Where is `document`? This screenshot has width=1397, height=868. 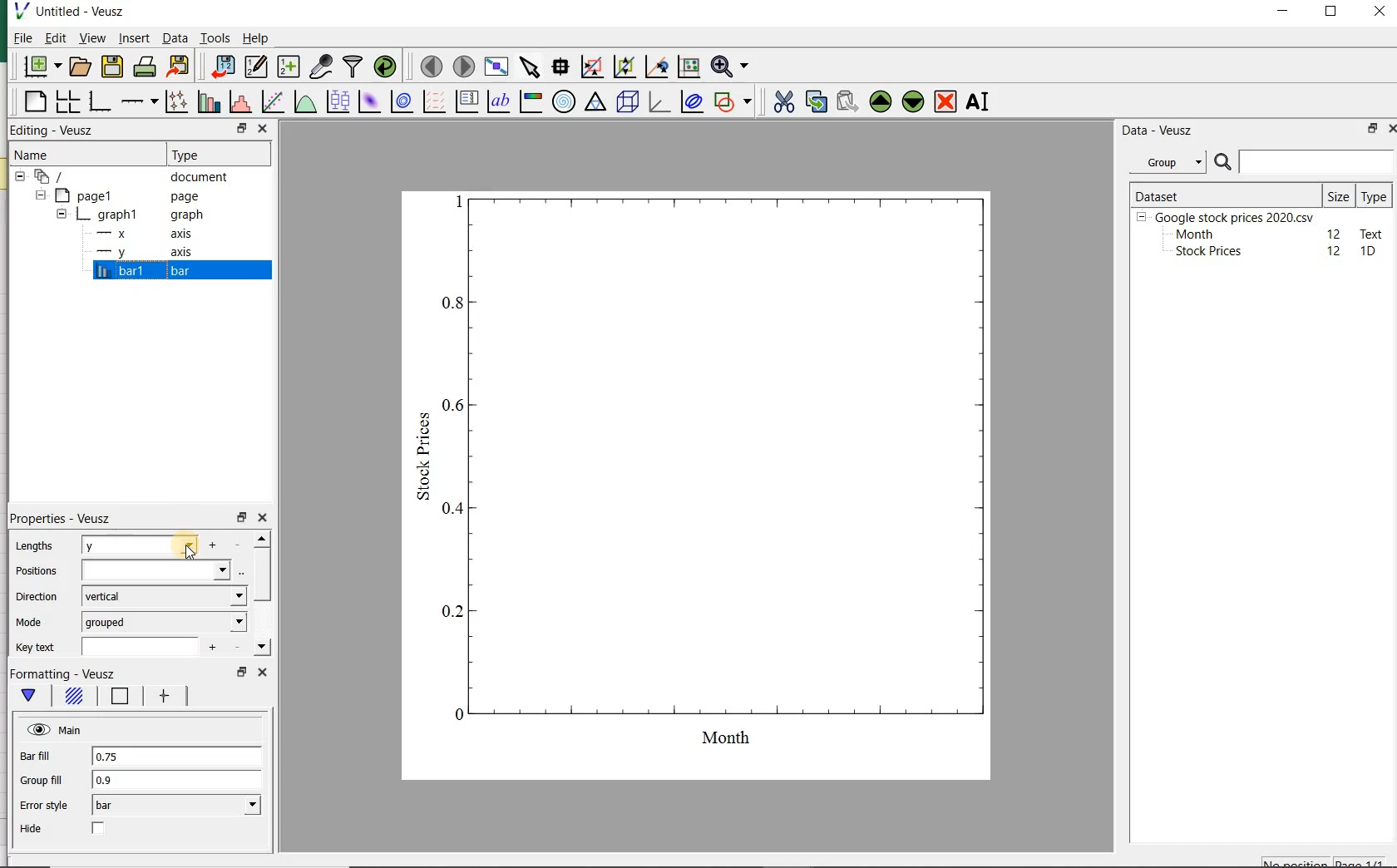 document is located at coordinates (129, 177).